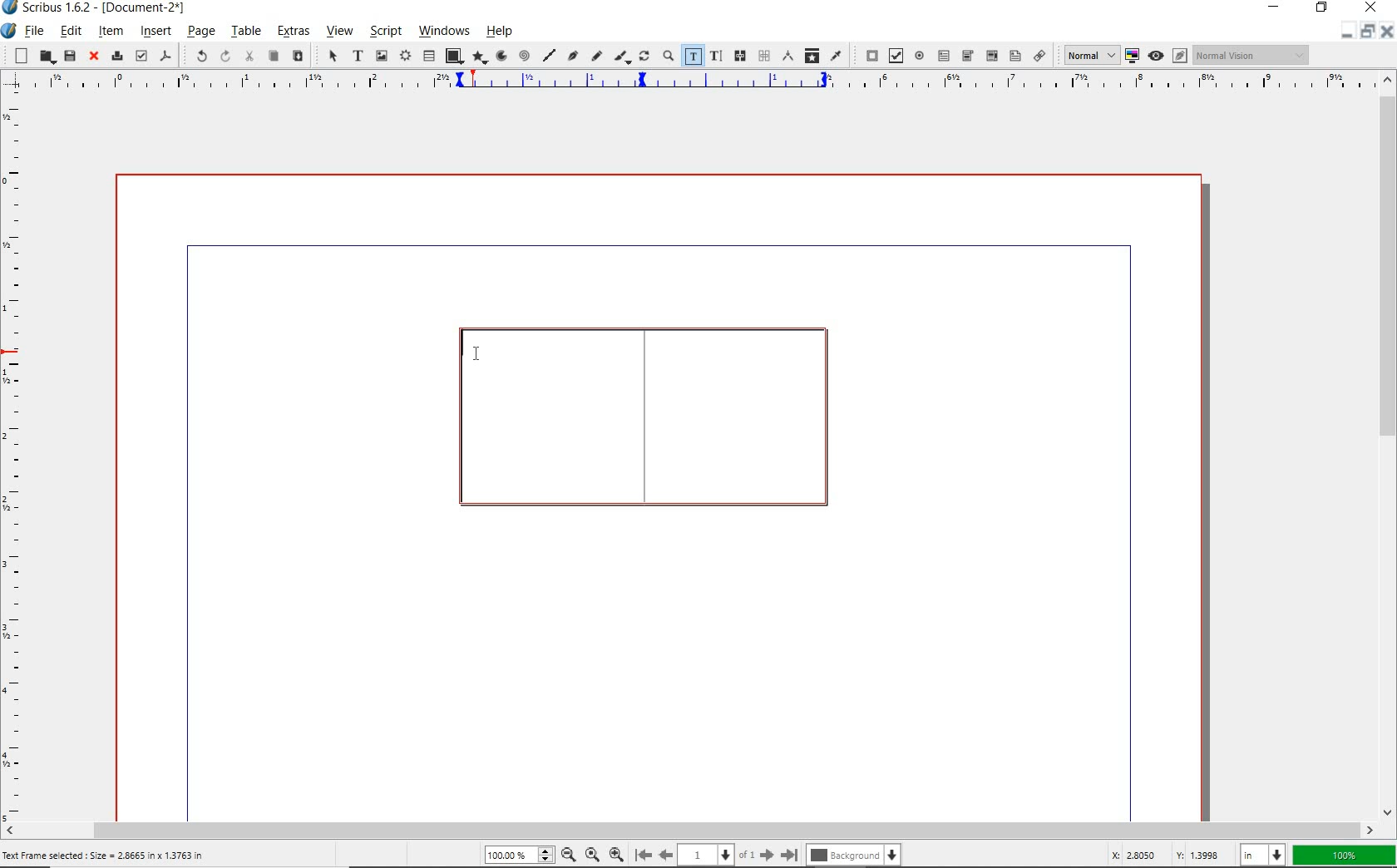  Describe the element at coordinates (1133, 56) in the screenshot. I see `toggle color` at that location.